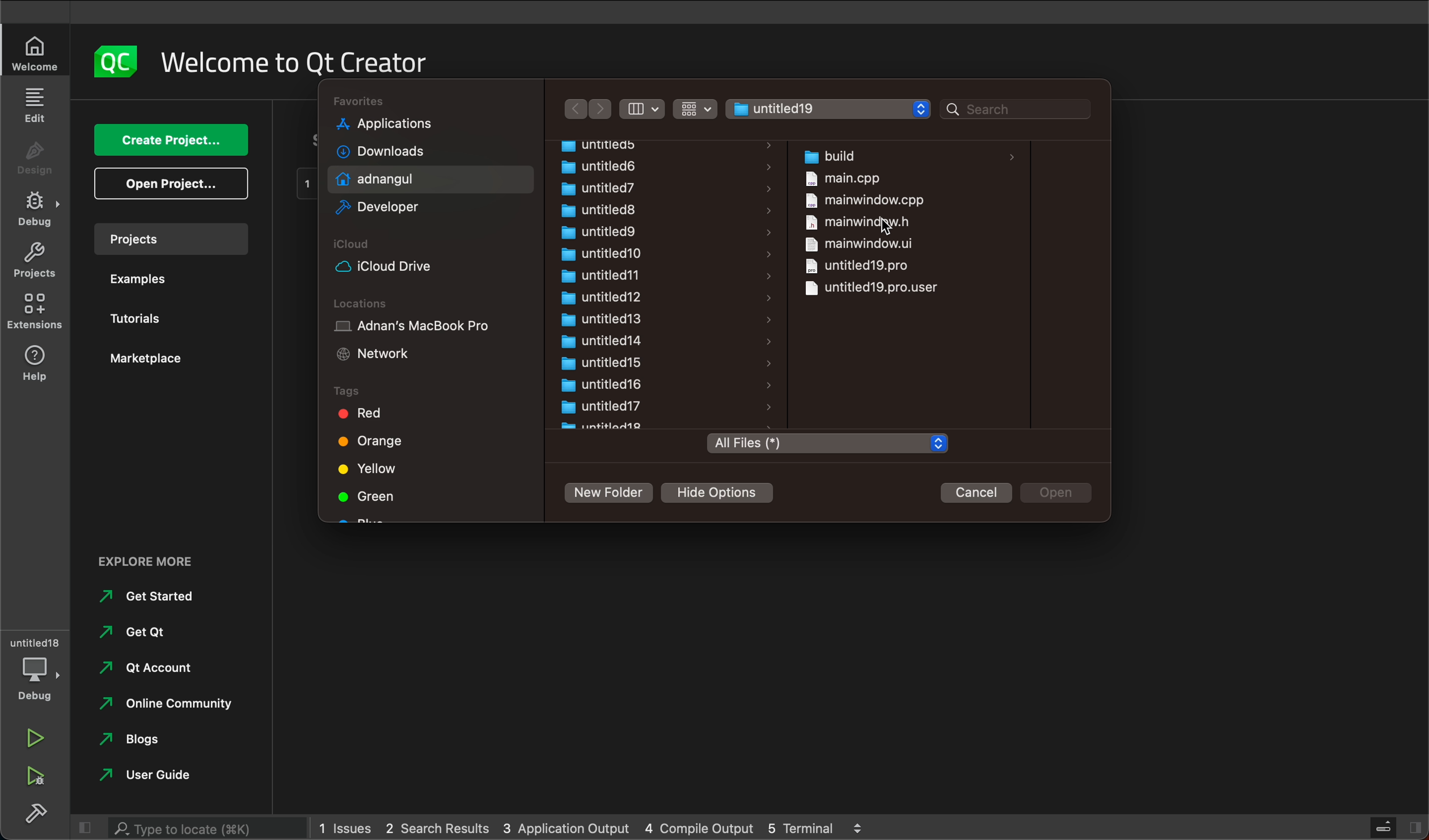 The image size is (1429, 840). What do you see at coordinates (1062, 493) in the screenshot?
I see `open` at bounding box center [1062, 493].